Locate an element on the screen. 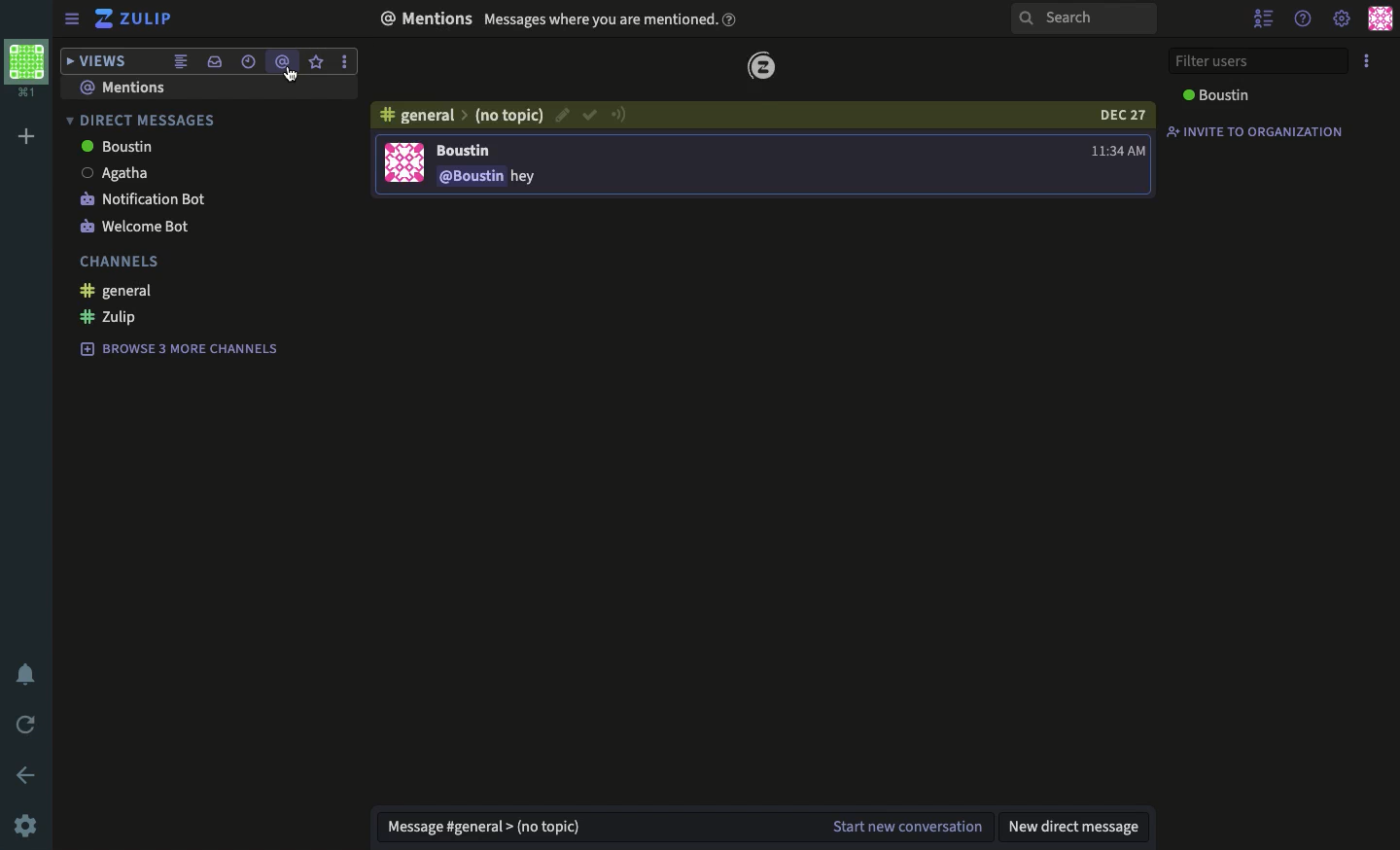  general no topic is located at coordinates (463, 116).